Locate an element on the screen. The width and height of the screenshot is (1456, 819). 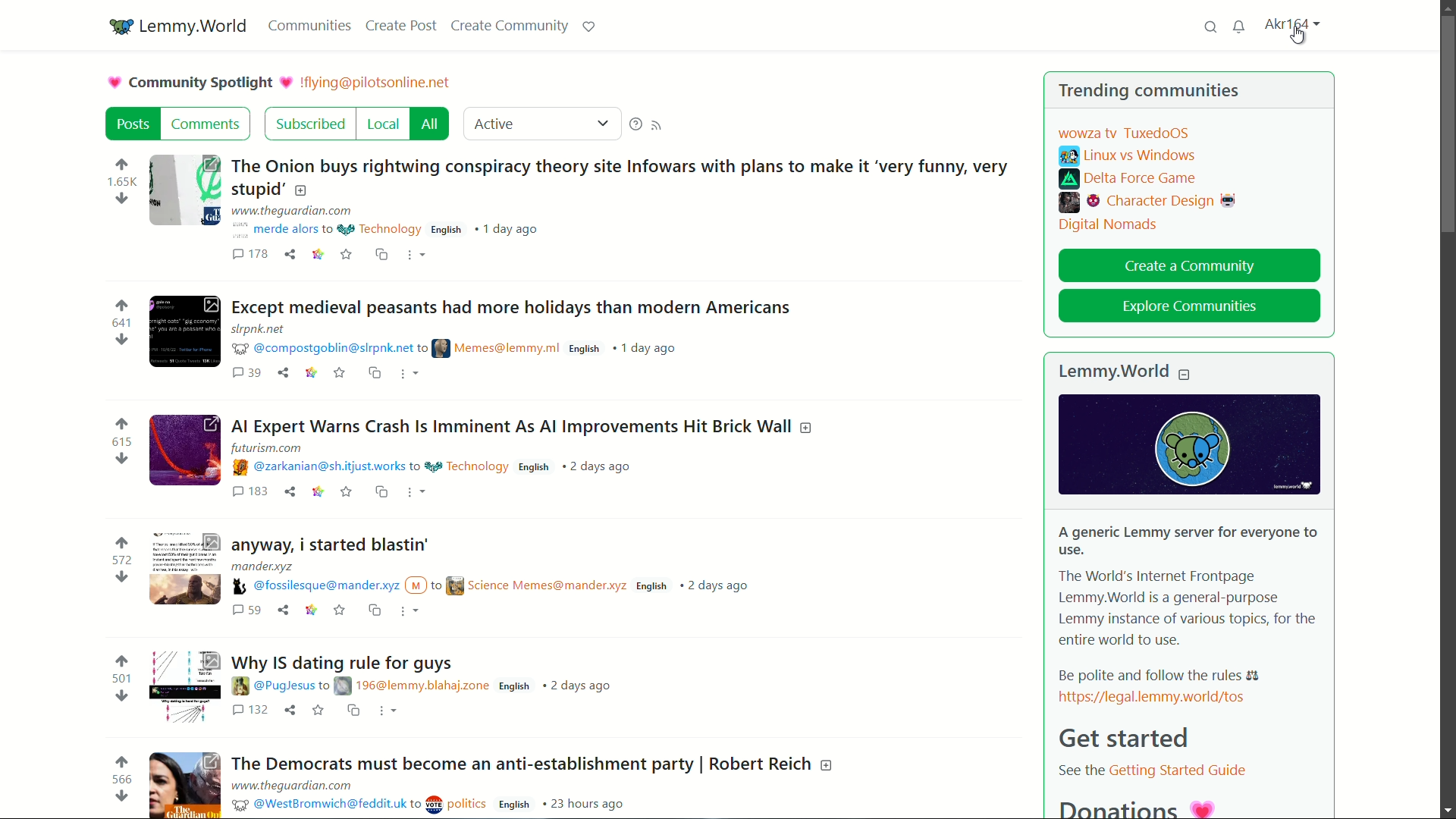
post details is located at coordinates (403, 221).